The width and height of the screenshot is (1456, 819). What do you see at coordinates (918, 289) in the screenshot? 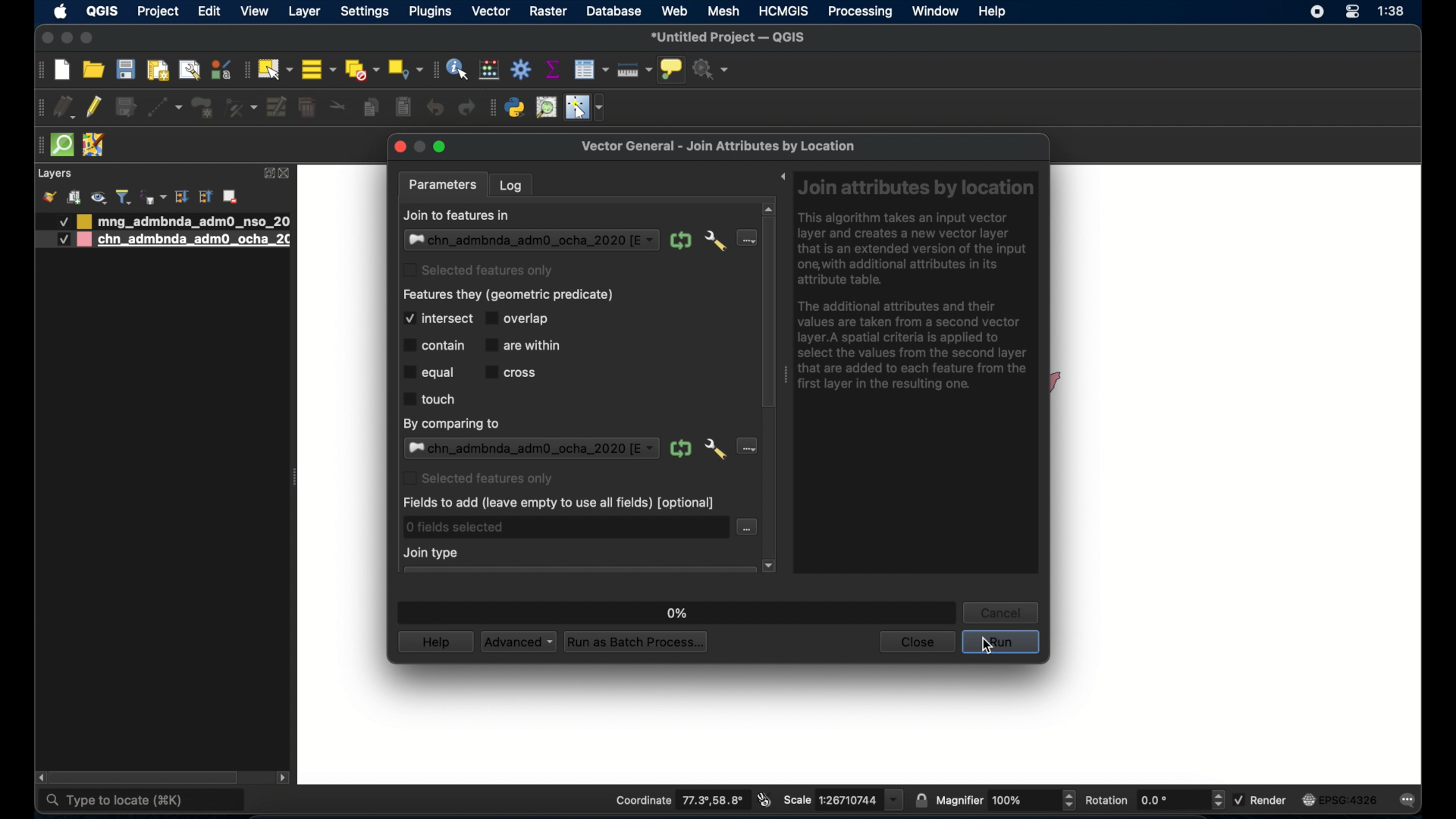
I see `Join attributes by location
This algorithm takes an input vector
layer and creates a new vector layer
that is an extended version of the input
one, with additional attributes in its
attribute table.

The additional attributes and their
values are taken from a second vector
layer.A spatial criteria is applied to
select the values from the second layer
that are added to each feature from the
first layer in the resulting one.` at bounding box center [918, 289].